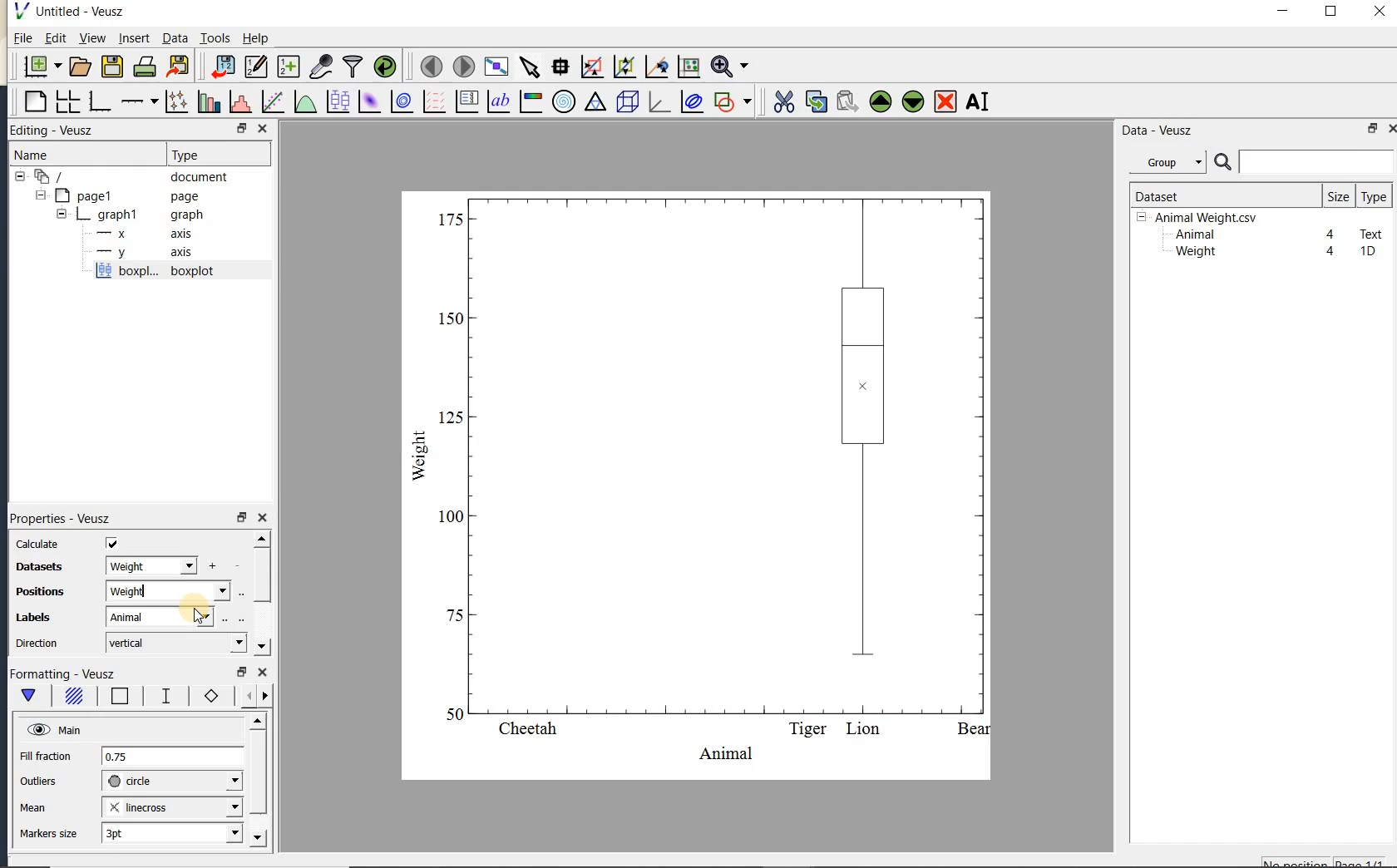 The width and height of the screenshot is (1397, 868). What do you see at coordinates (1194, 253) in the screenshot?
I see `Weight` at bounding box center [1194, 253].